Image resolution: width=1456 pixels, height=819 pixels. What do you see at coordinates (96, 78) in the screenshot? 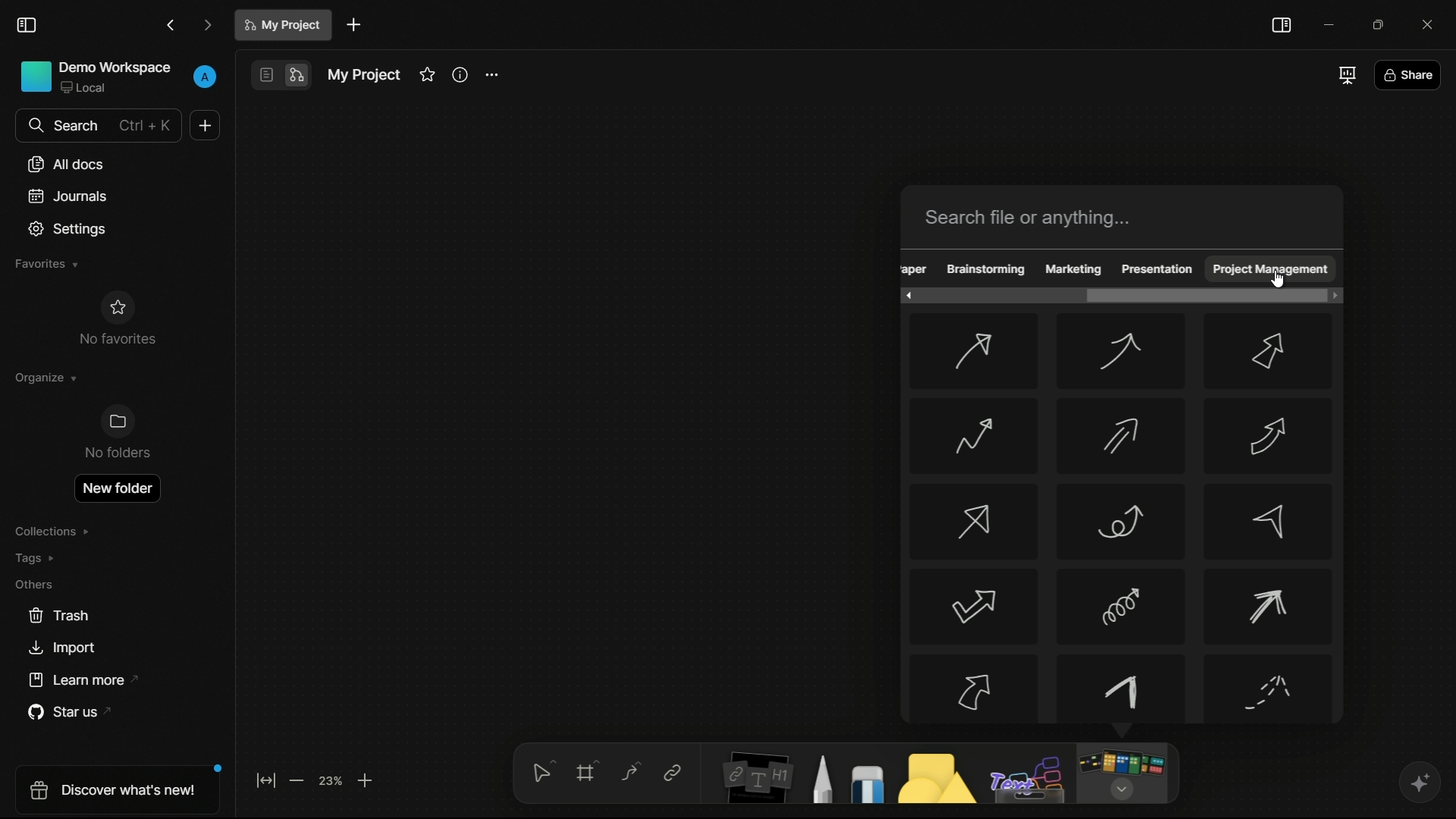
I see `demo workspace` at bounding box center [96, 78].